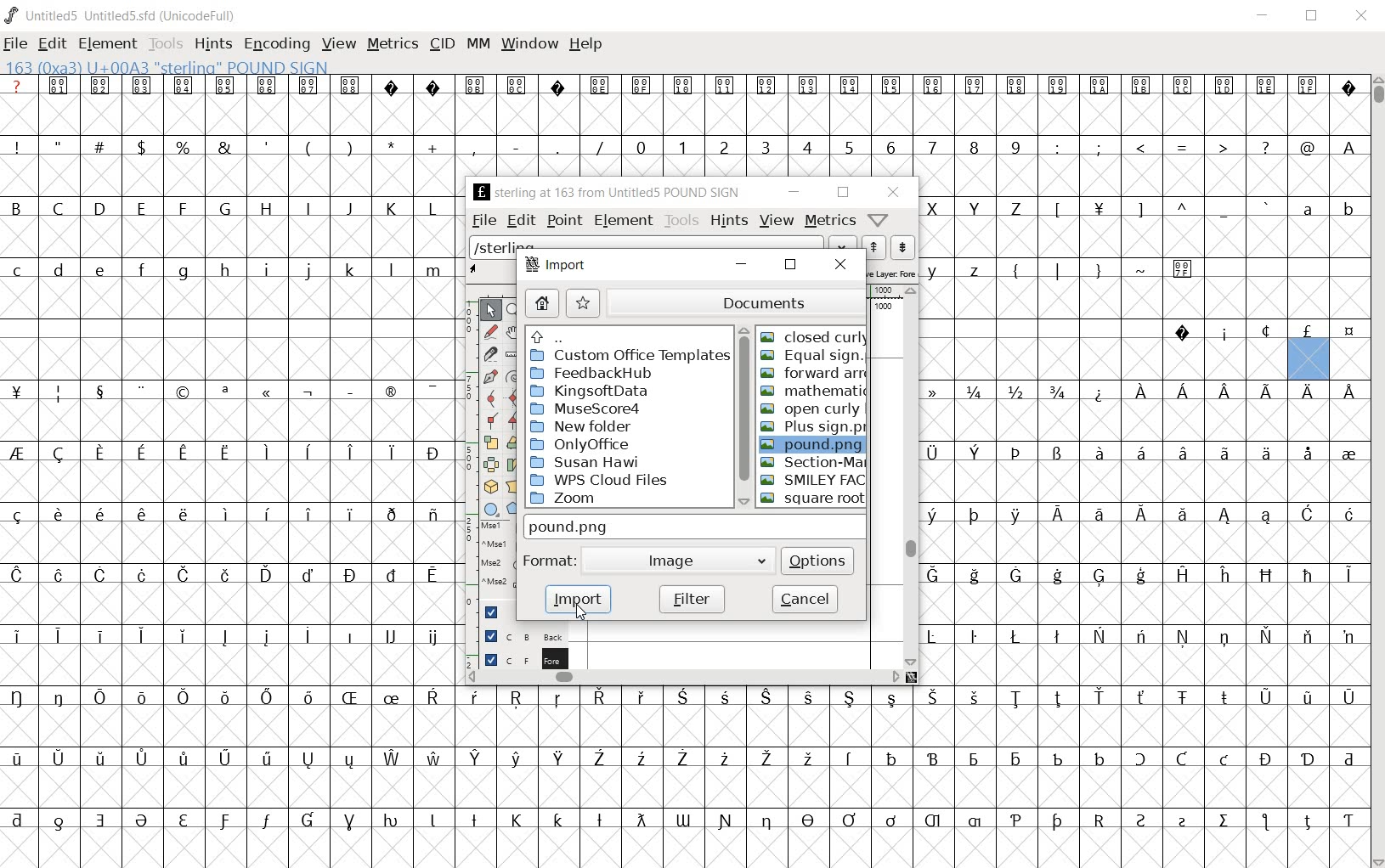 The image size is (1385, 868). What do you see at coordinates (20, 820) in the screenshot?
I see `Symbol` at bounding box center [20, 820].